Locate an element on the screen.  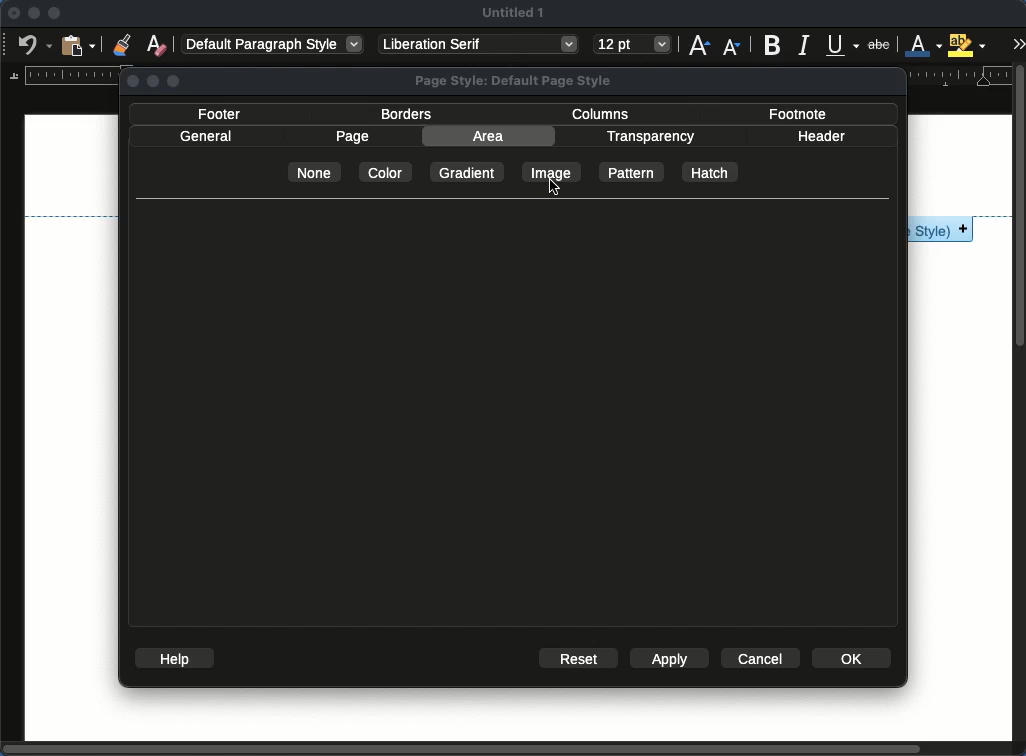
columns is located at coordinates (603, 115).